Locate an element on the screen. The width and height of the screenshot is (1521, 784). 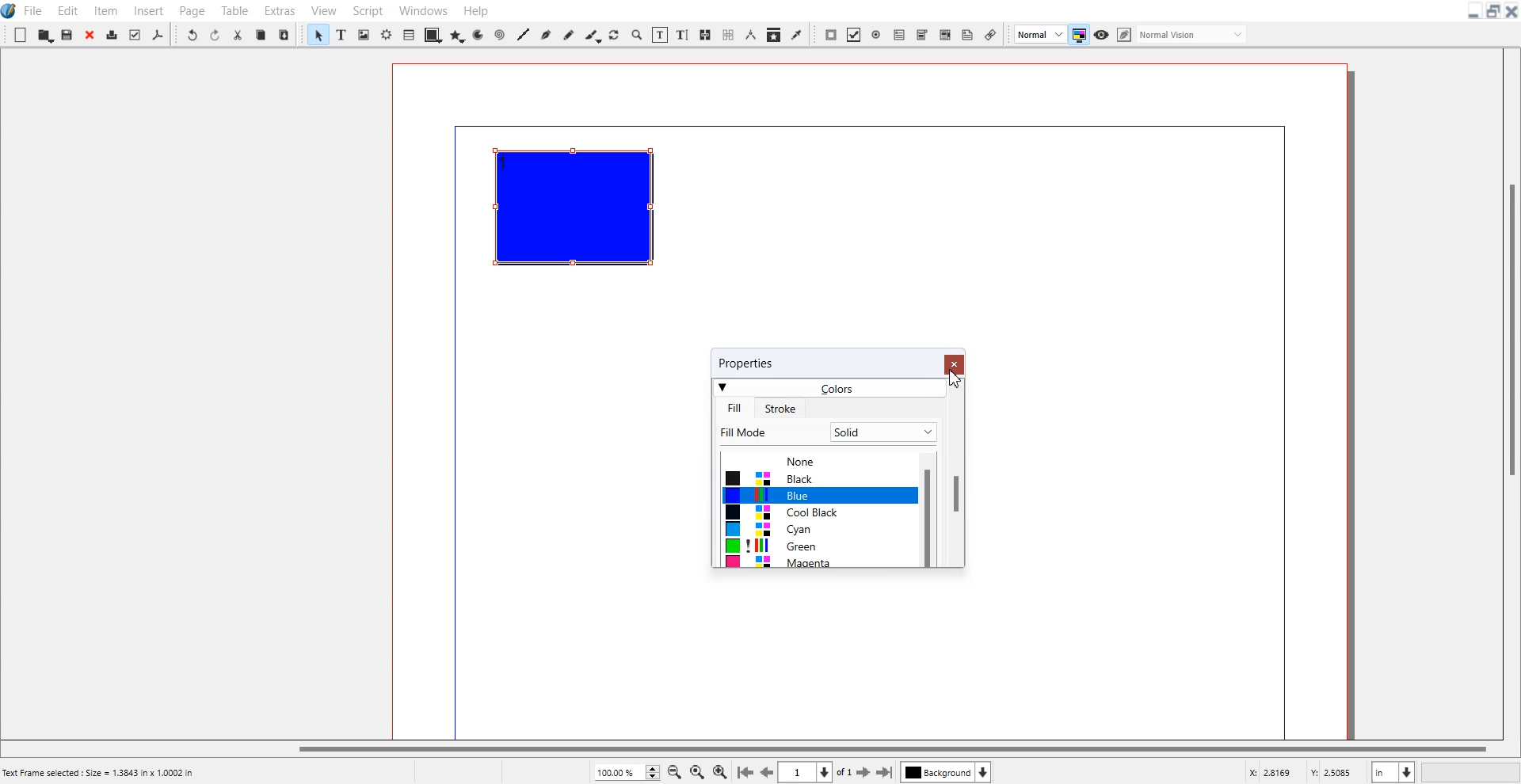
Colors is located at coordinates (819, 510).